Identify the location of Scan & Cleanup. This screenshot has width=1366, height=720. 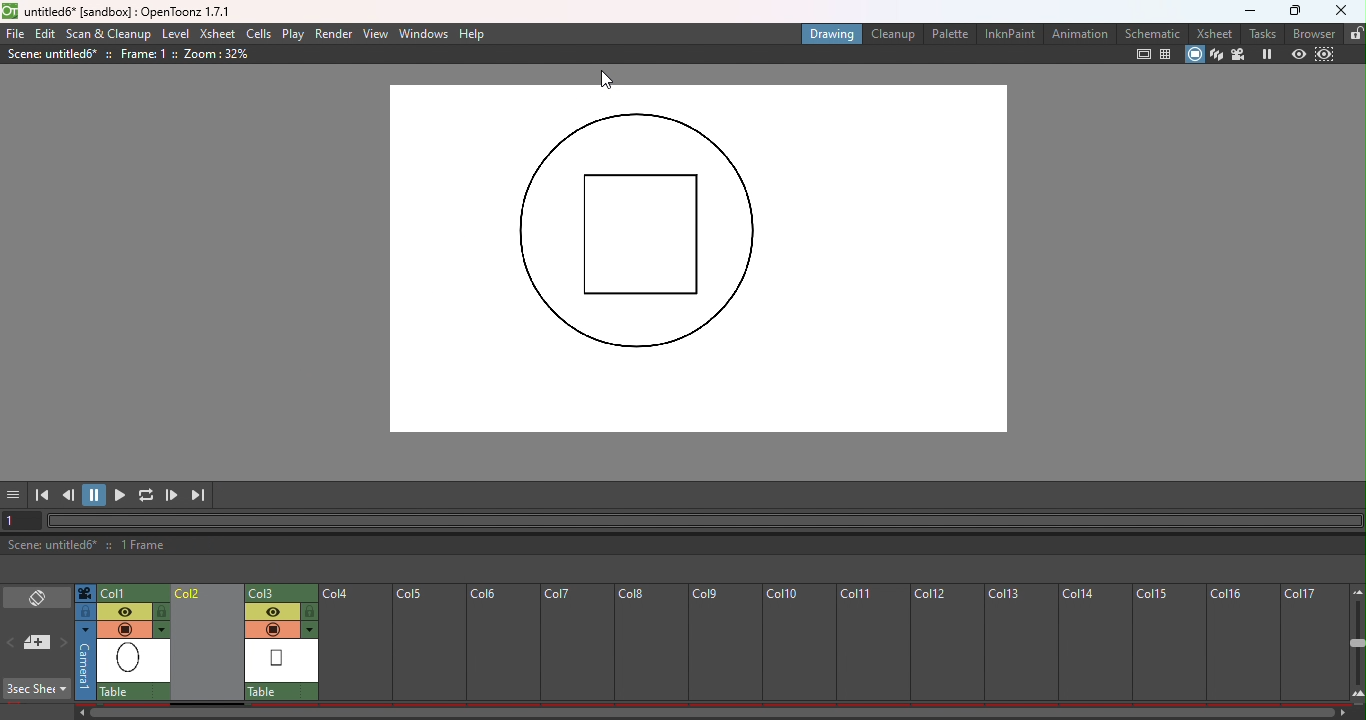
(109, 34).